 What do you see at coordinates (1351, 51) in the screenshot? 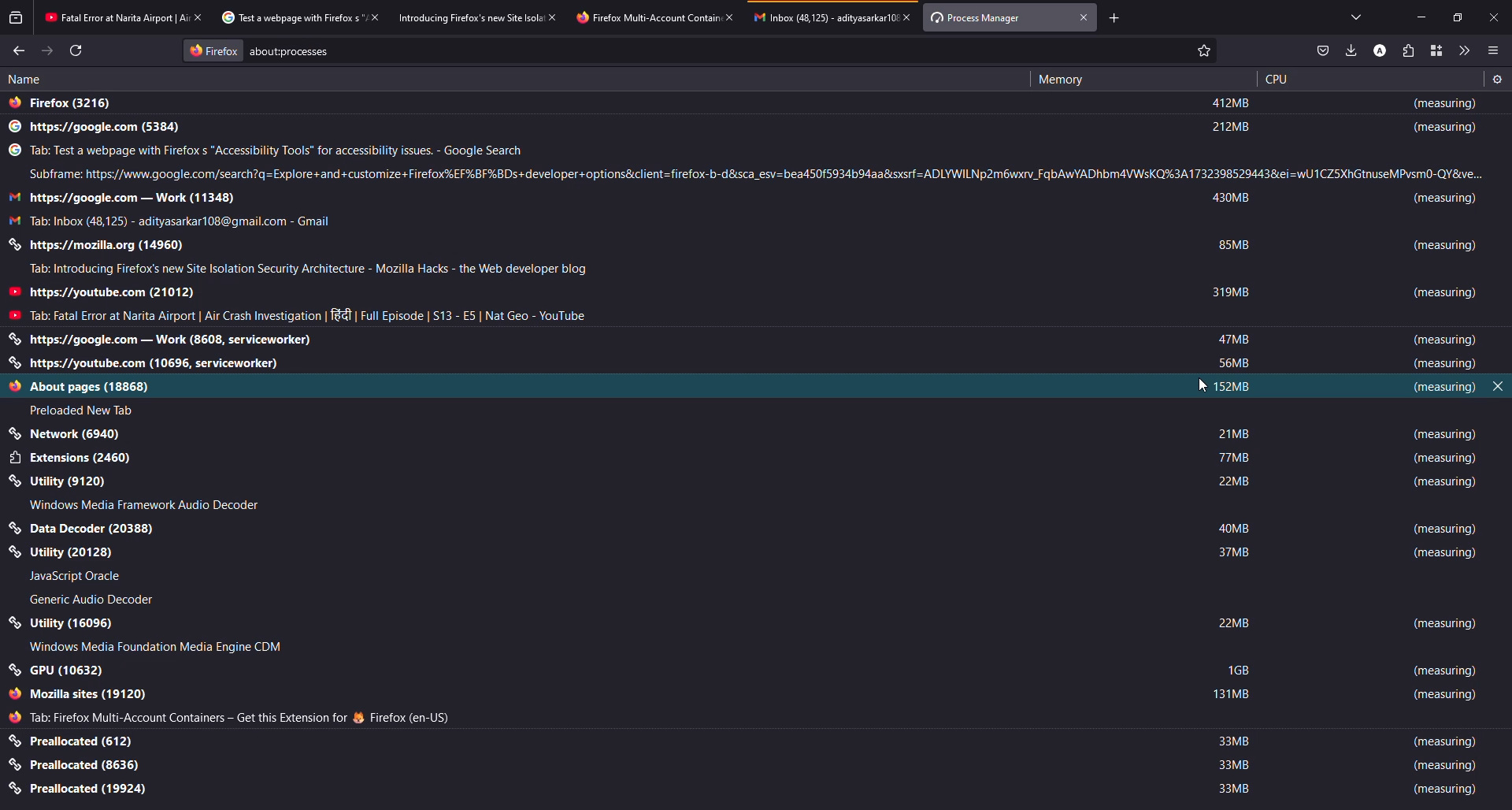
I see `downloads` at bounding box center [1351, 51].